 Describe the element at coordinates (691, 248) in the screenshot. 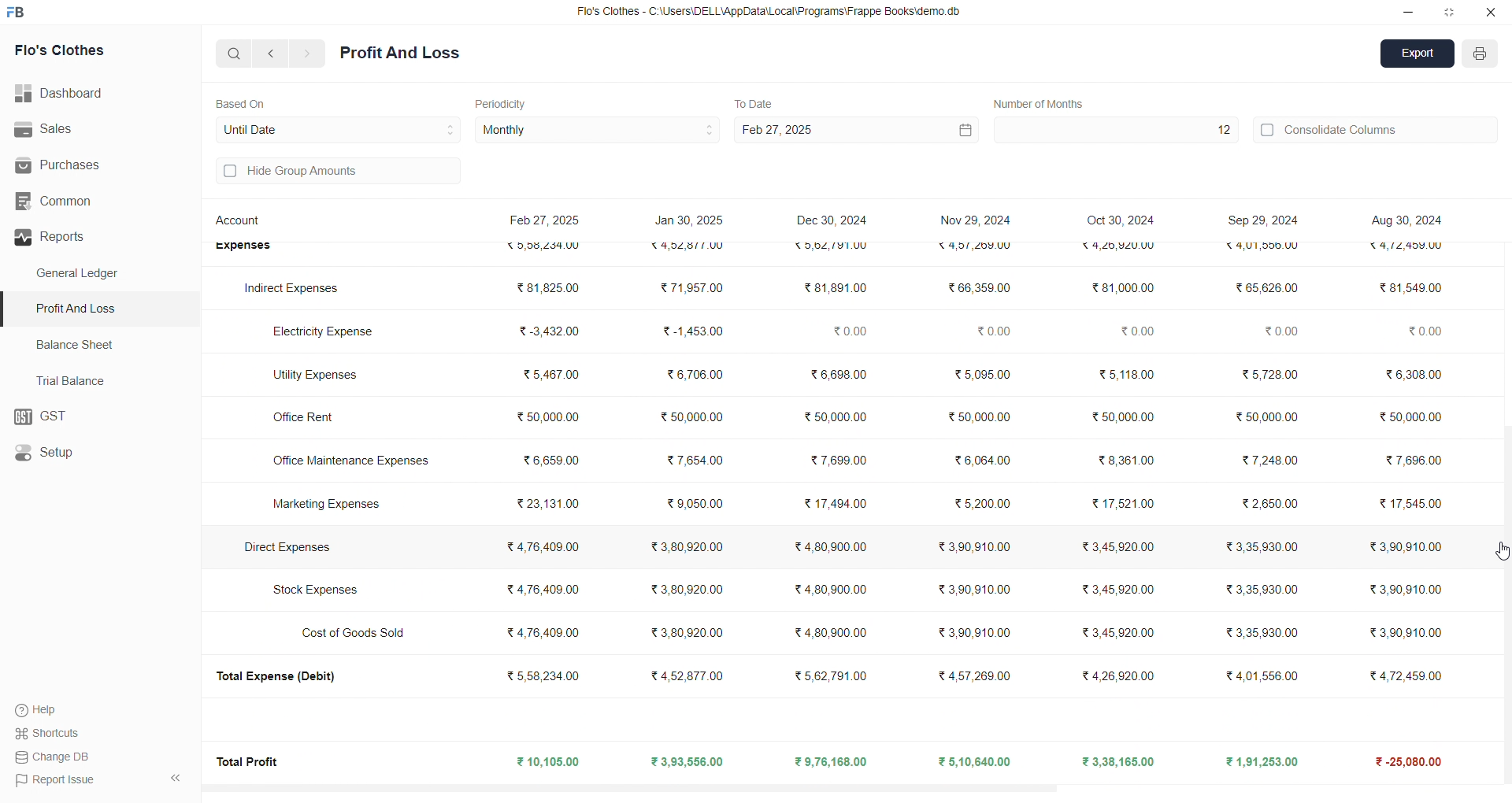

I see `₹4,52,877.00` at that location.